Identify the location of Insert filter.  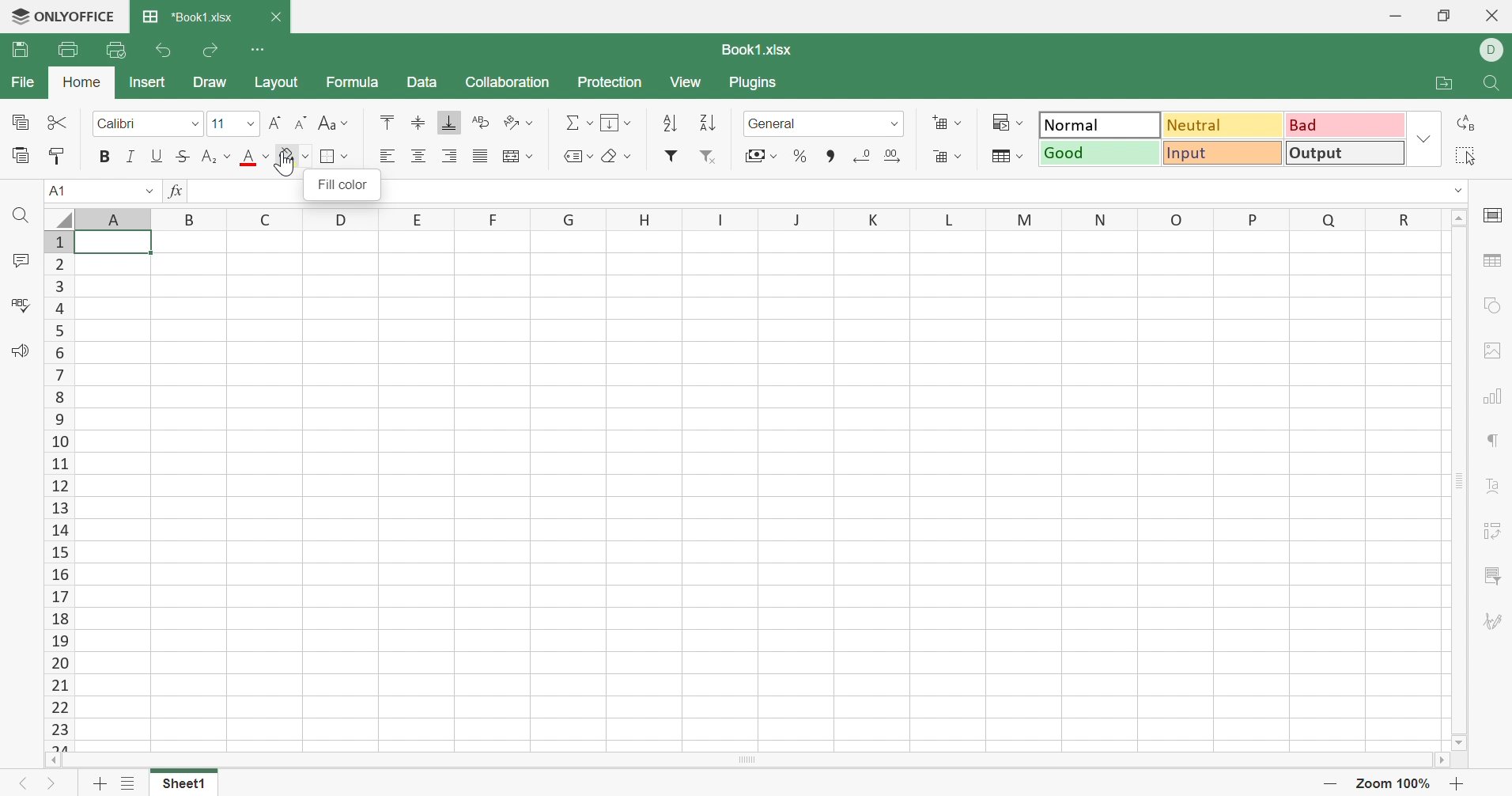
(674, 155).